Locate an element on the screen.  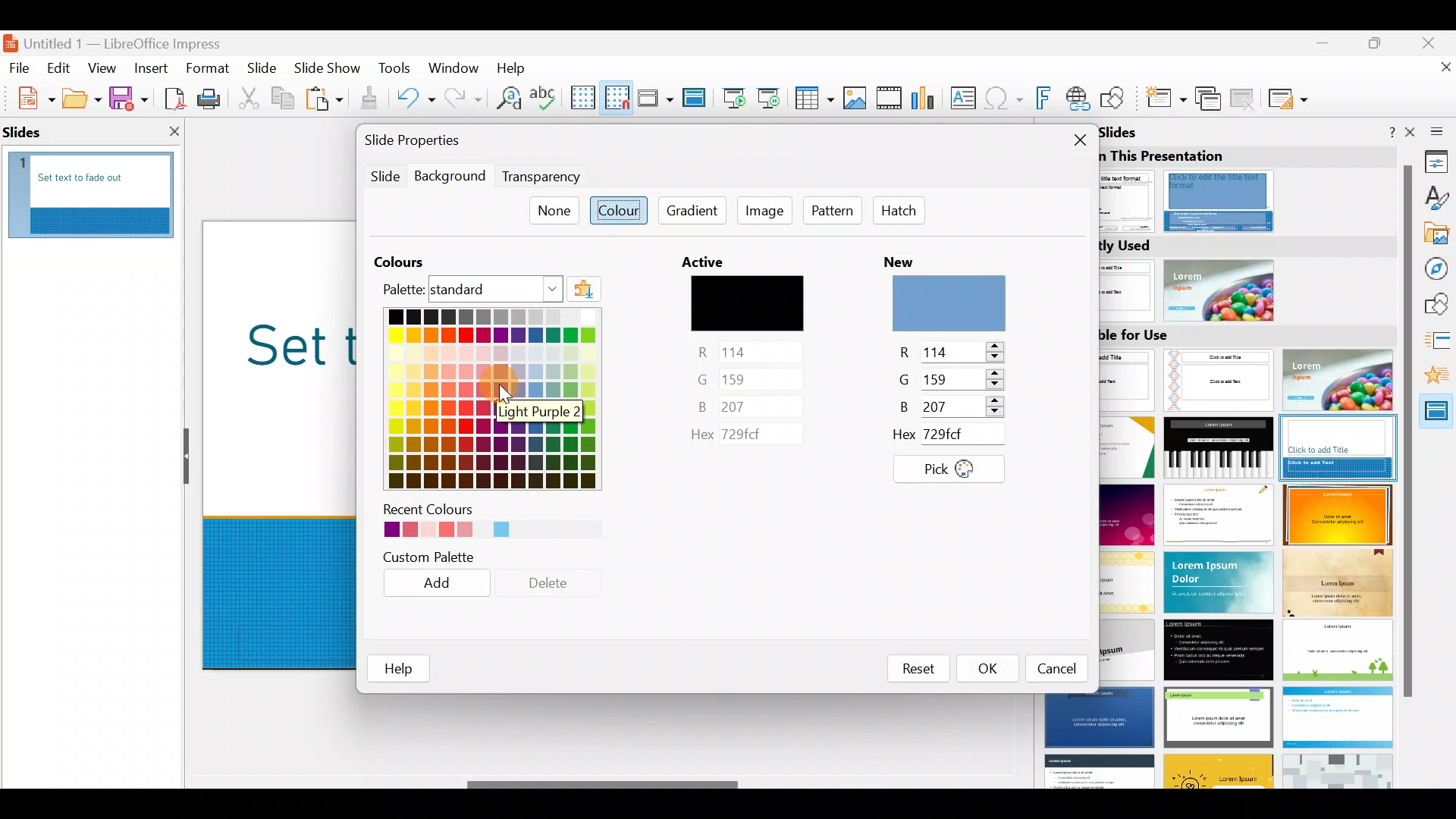
OK is located at coordinates (983, 667).